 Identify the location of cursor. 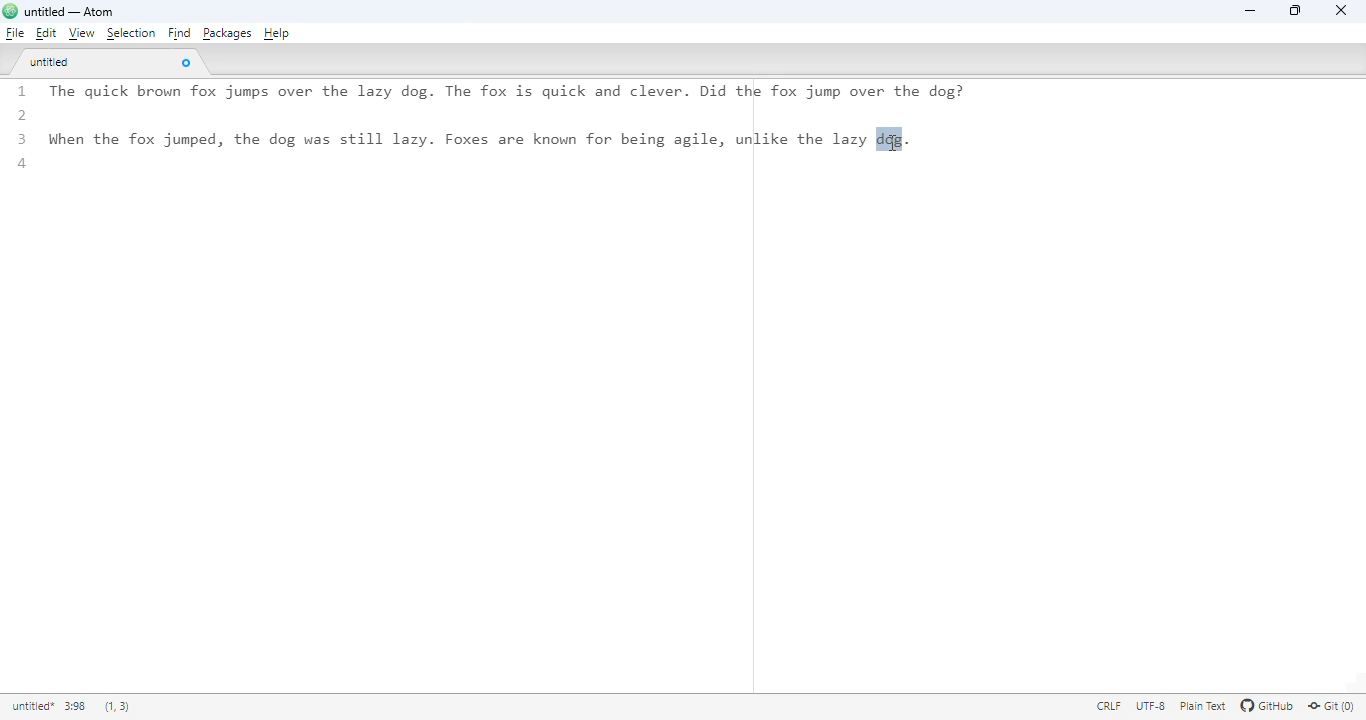
(894, 142).